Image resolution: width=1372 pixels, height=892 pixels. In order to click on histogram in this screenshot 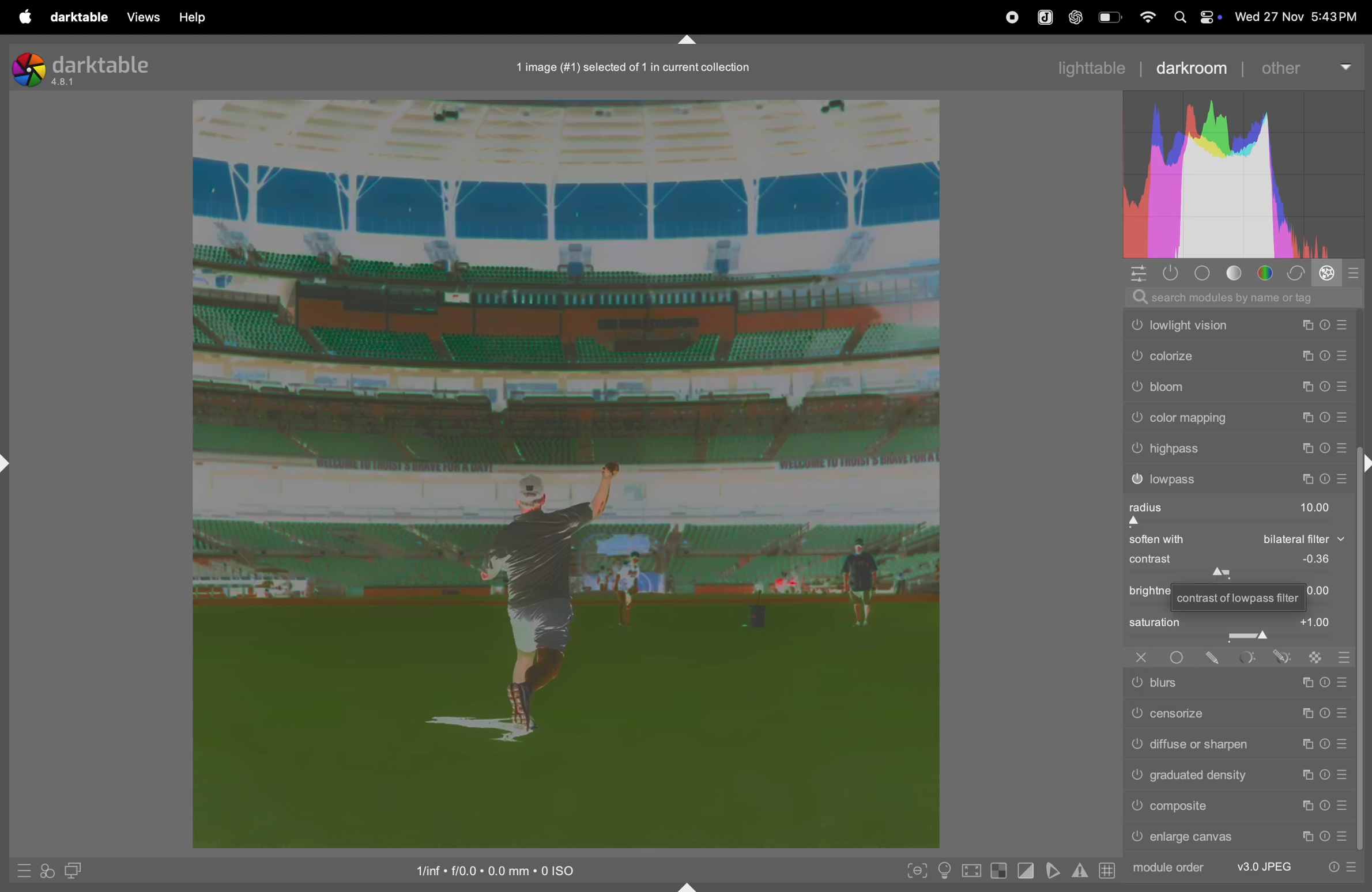, I will do `click(1249, 176)`.